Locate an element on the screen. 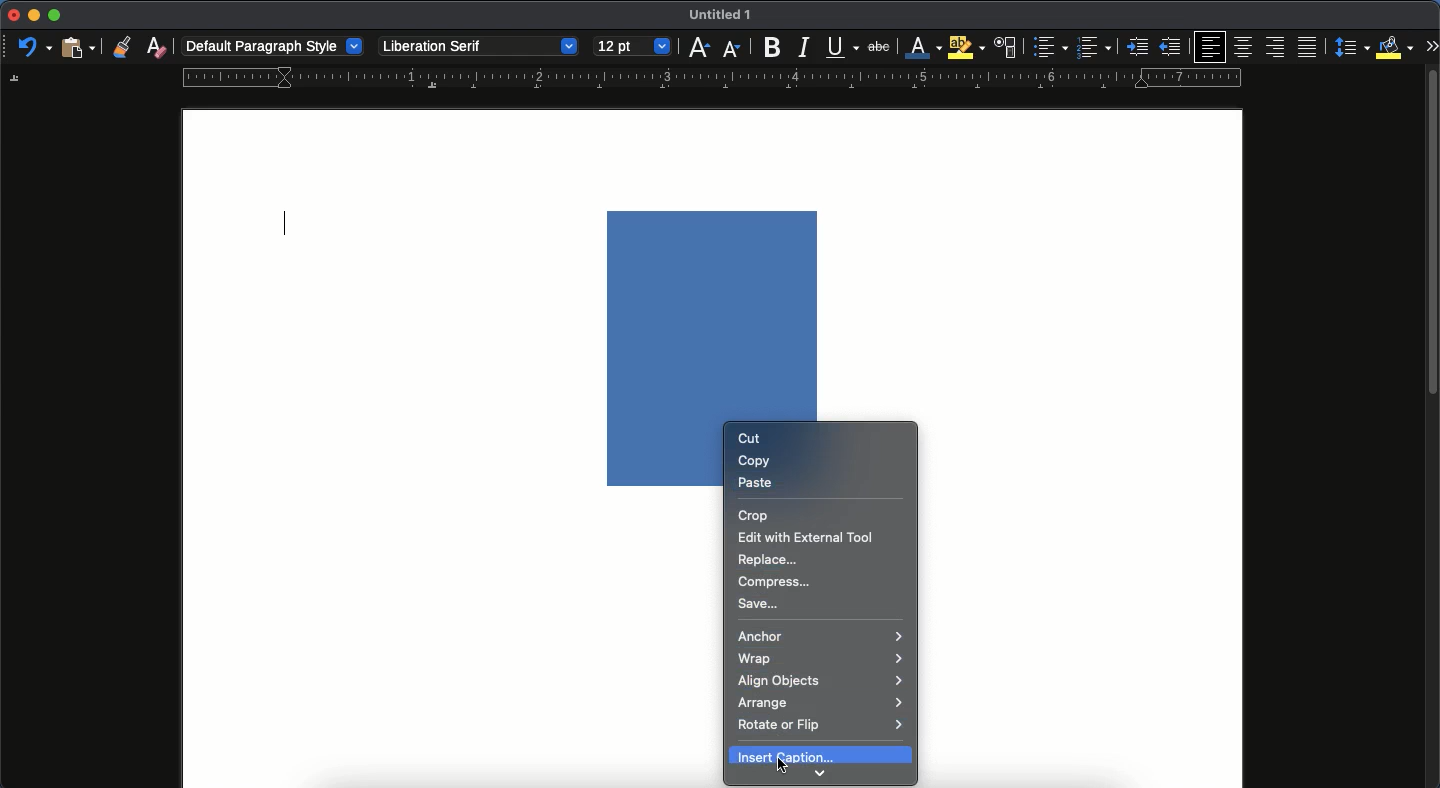  default paragraph style is located at coordinates (272, 47).